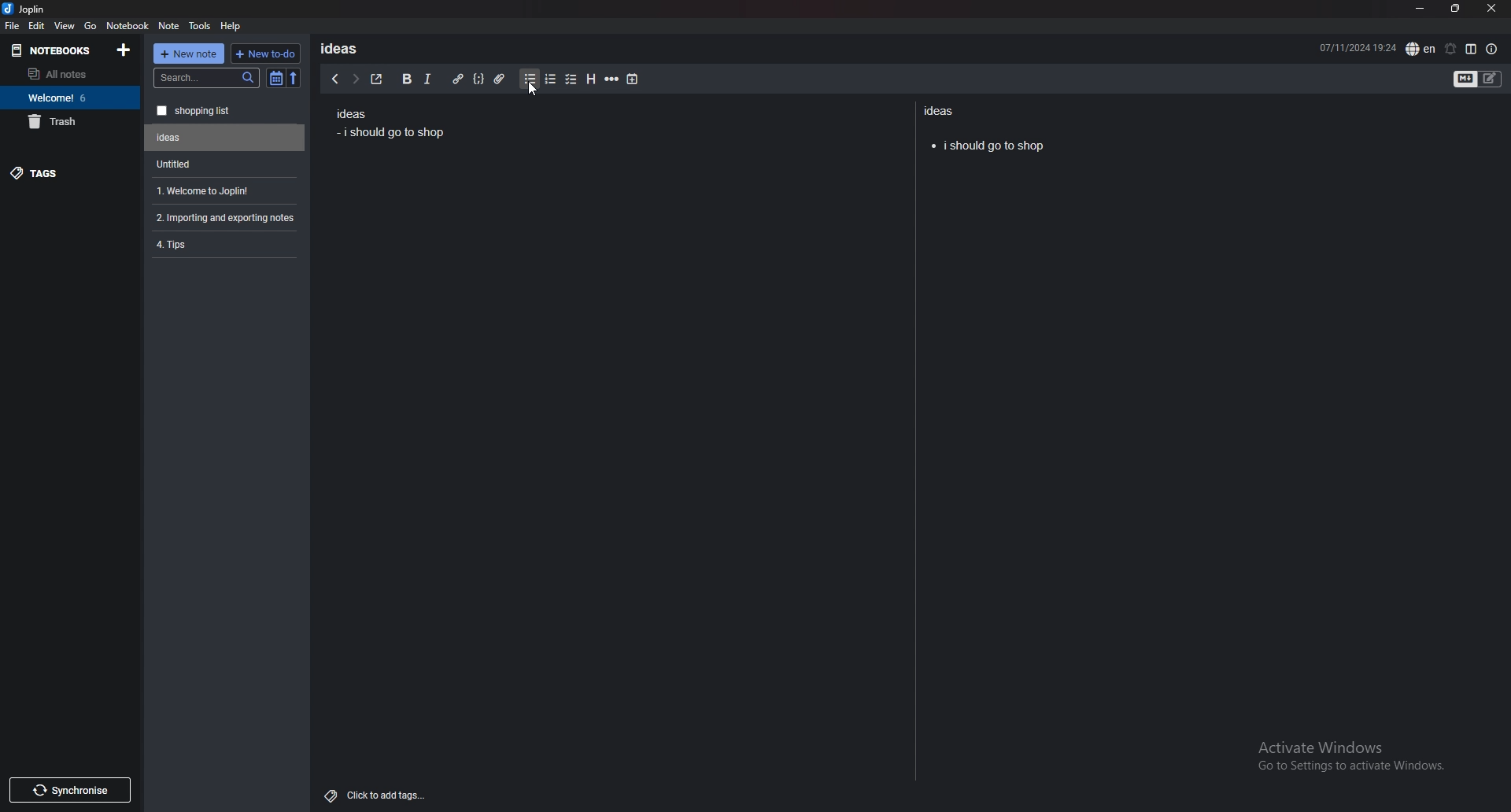 The width and height of the screenshot is (1511, 812). What do you see at coordinates (294, 79) in the screenshot?
I see `reverse sort order` at bounding box center [294, 79].